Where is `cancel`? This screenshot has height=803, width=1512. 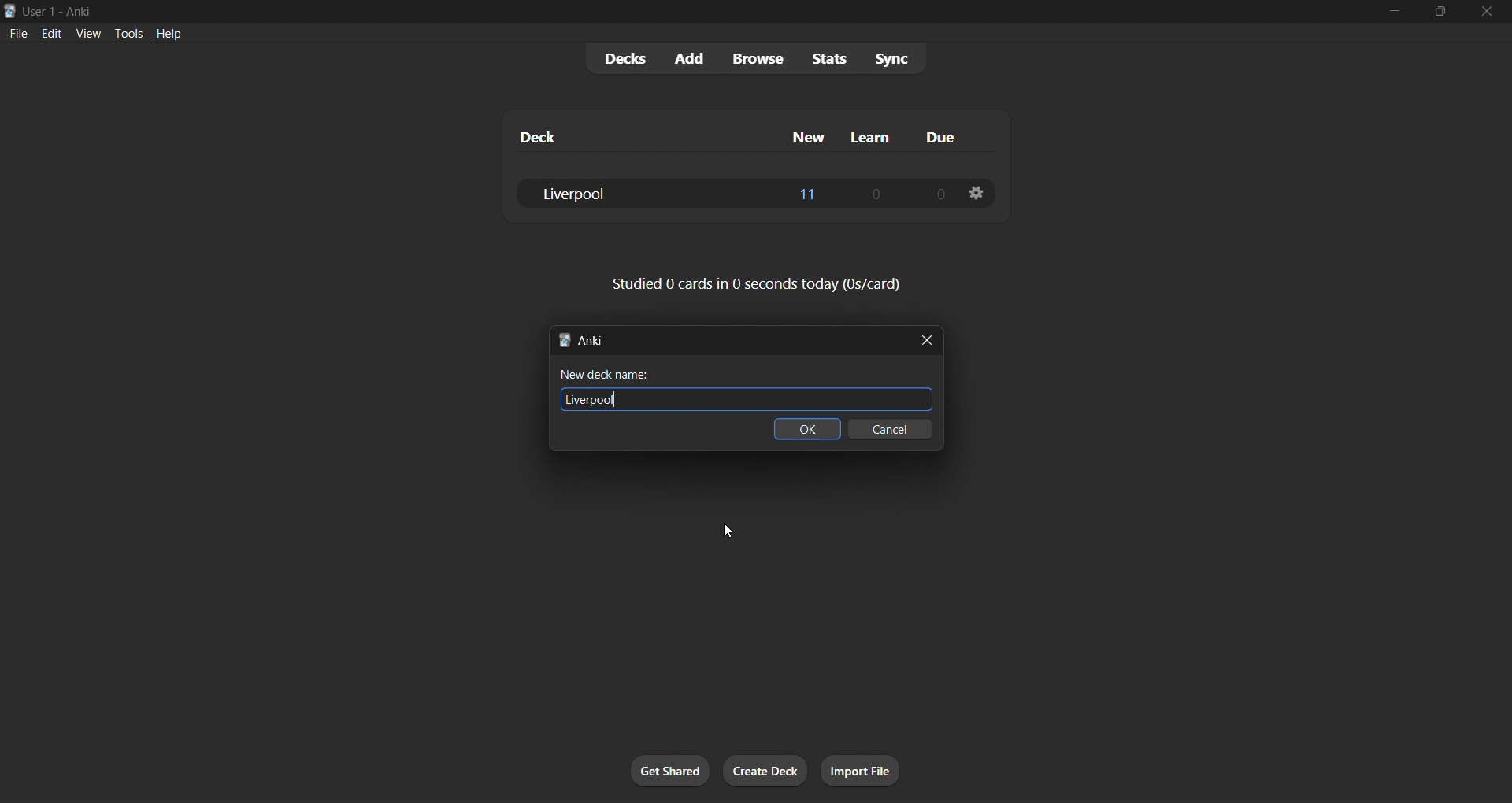
cancel is located at coordinates (890, 430).